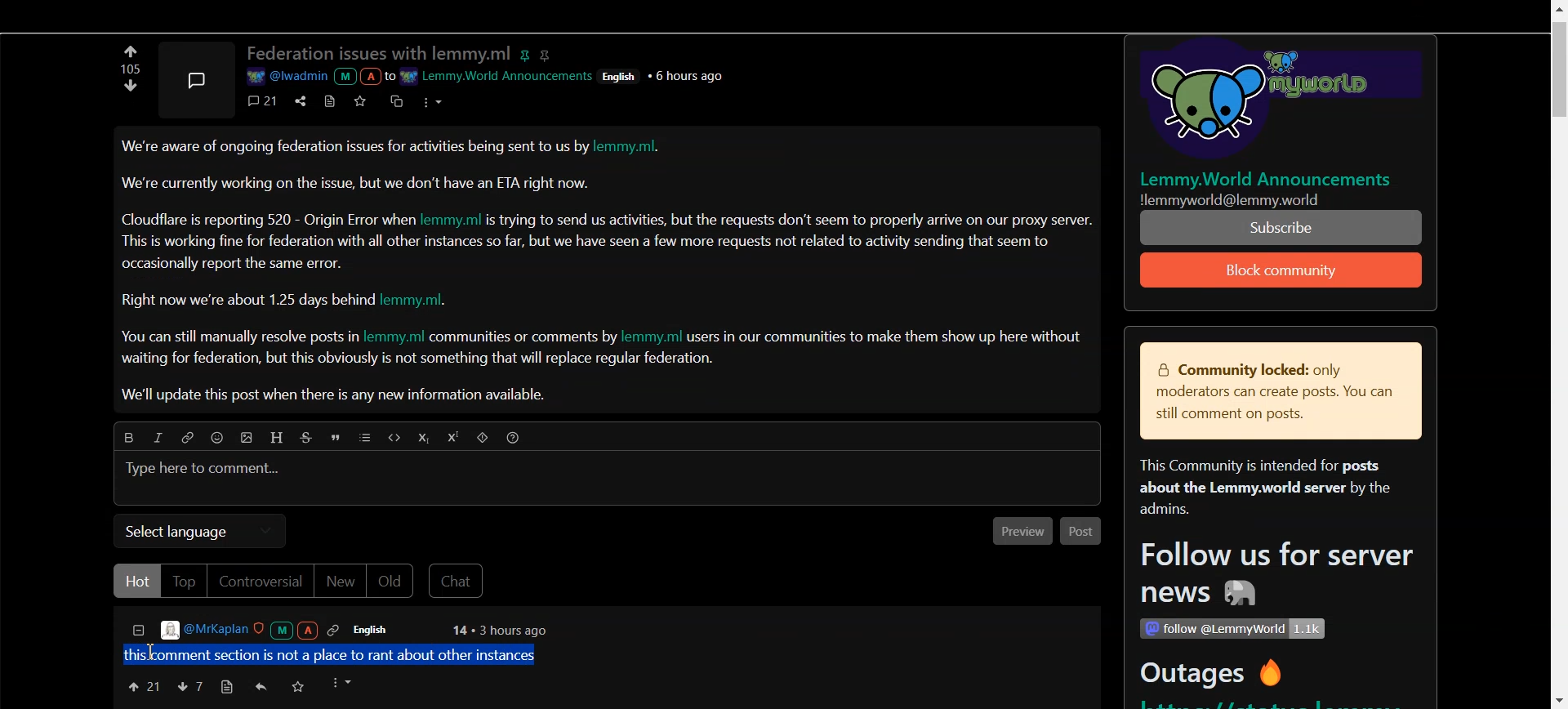  What do you see at coordinates (379, 54) in the screenshot?
I see `Federation issues with lemmy.ml` at bounding box center [379, 54].